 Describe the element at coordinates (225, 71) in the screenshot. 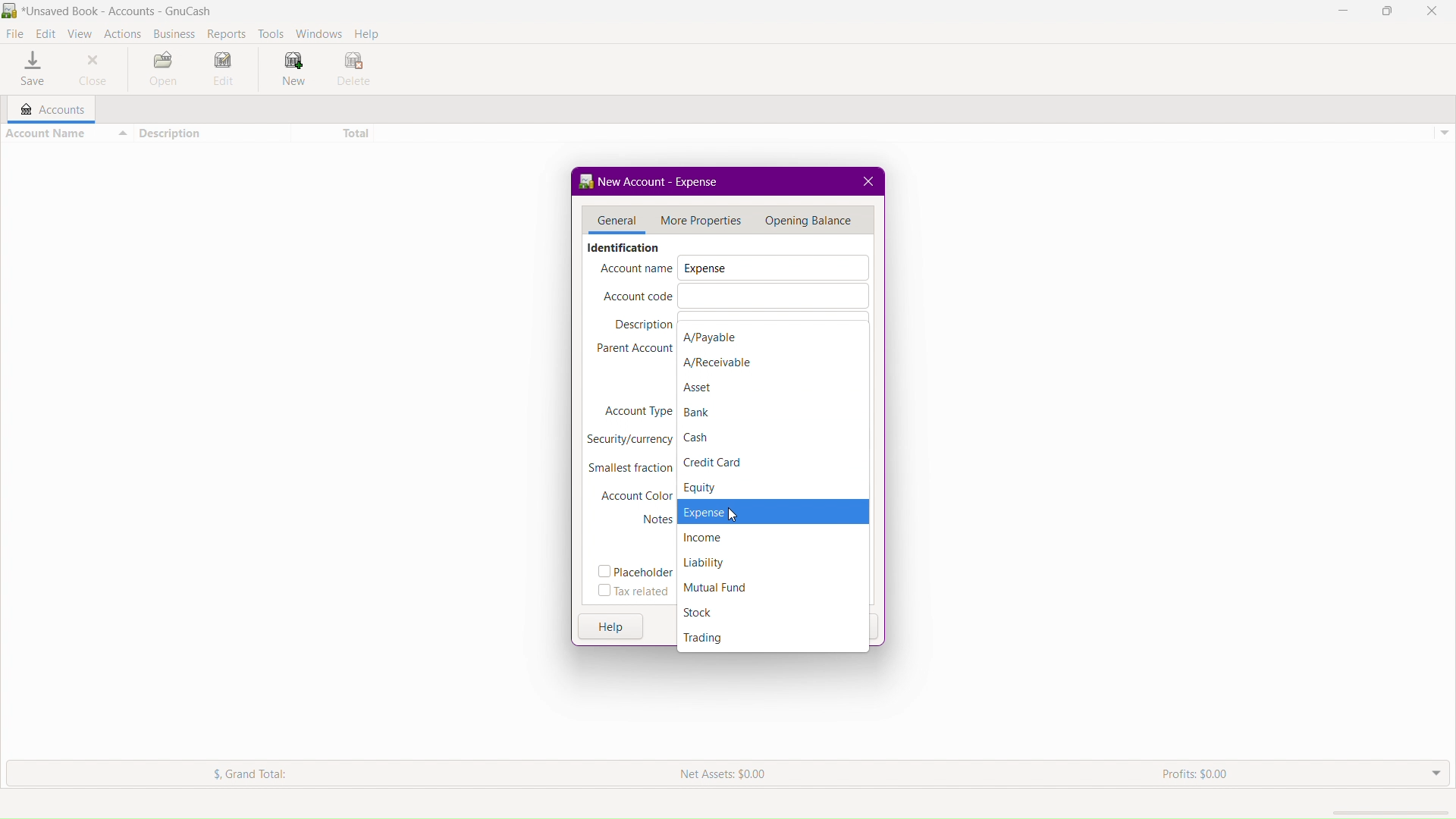

I see `Edit` at that location.